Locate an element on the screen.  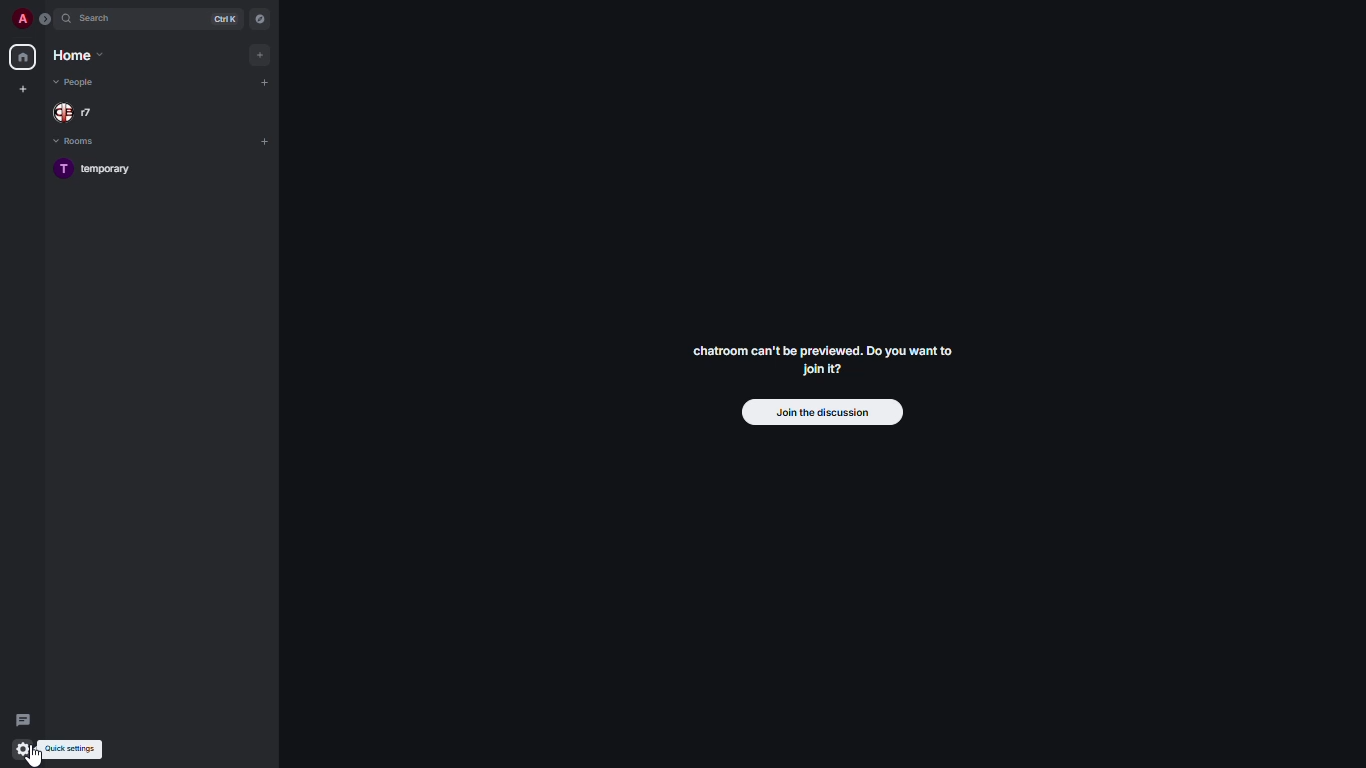
navigator is located at coordinates (261, 18).